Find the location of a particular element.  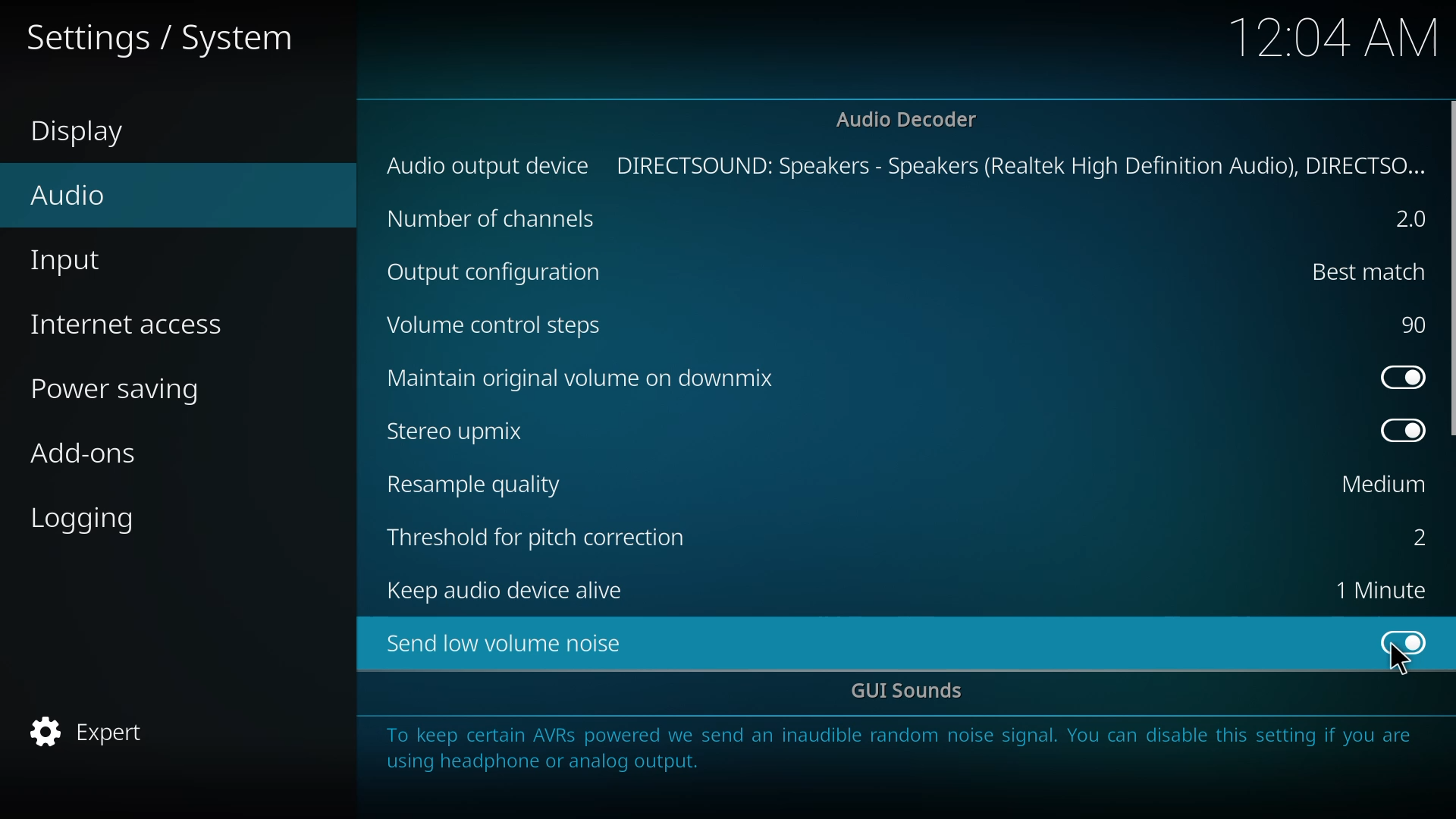

display is located at coordinates (92, 134).